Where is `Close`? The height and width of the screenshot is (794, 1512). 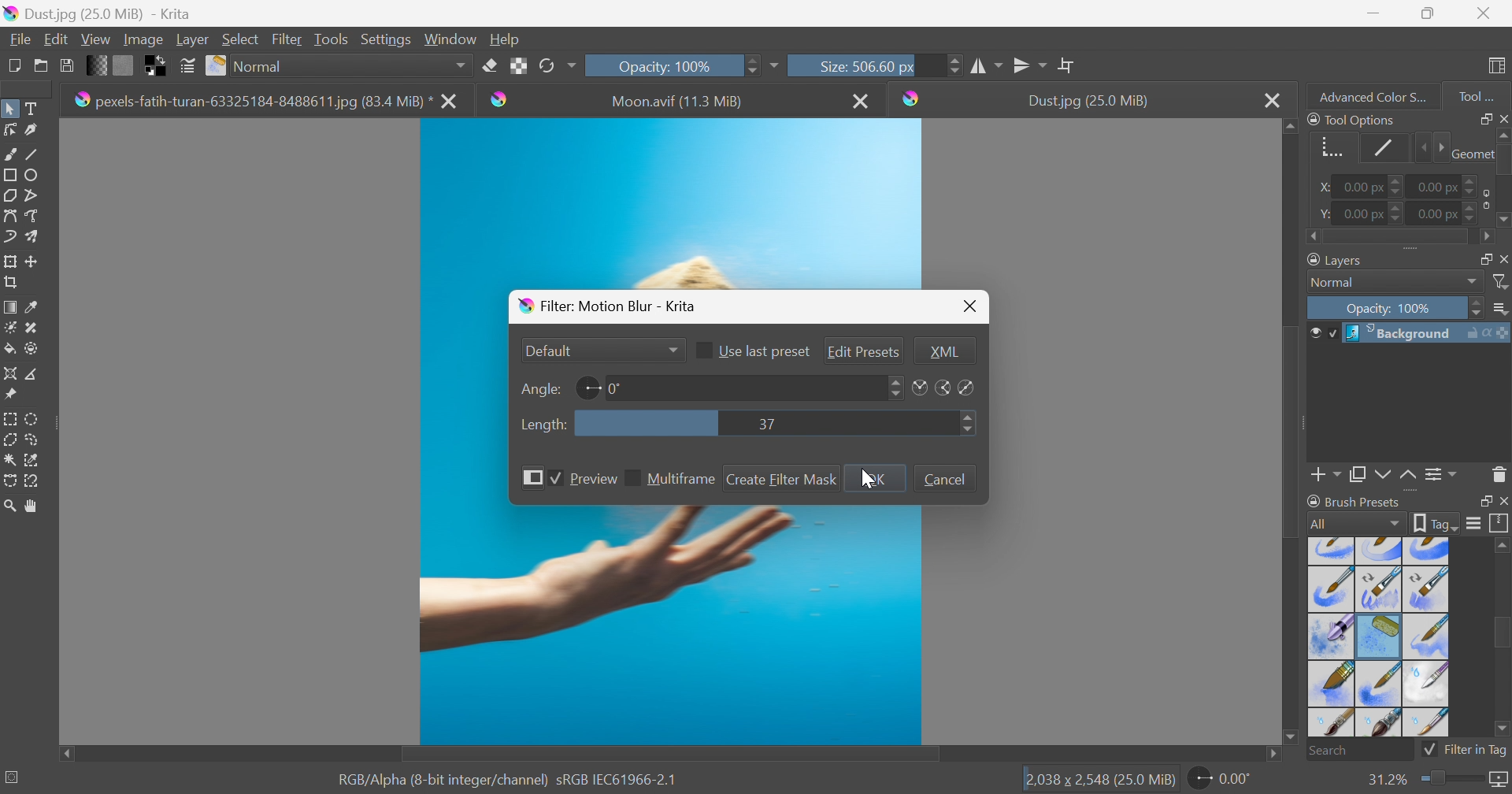
Close is located at coordinates (1484, 13).